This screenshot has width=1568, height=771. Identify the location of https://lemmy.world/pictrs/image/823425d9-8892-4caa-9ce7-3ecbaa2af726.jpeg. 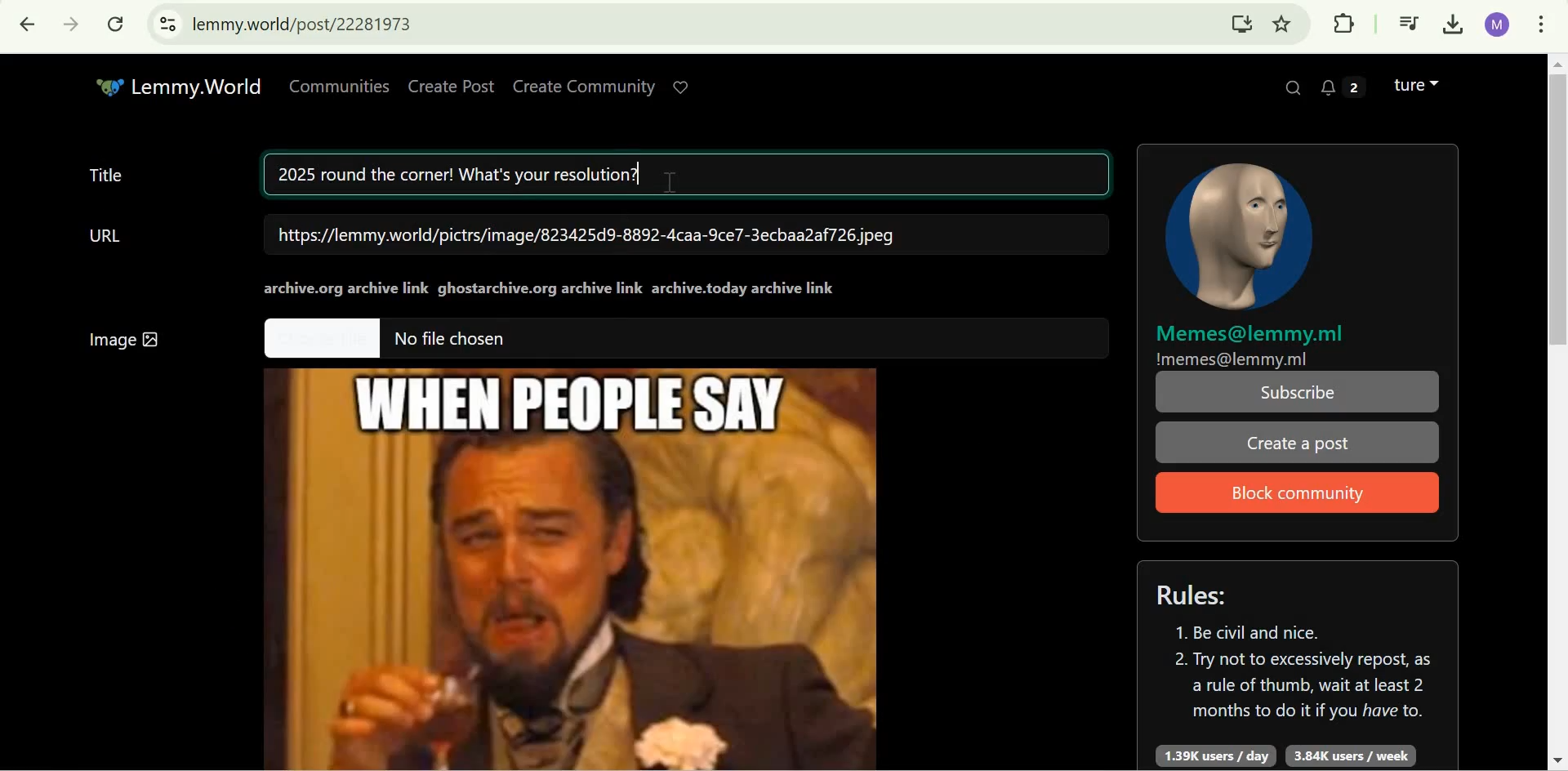
(587, 234).